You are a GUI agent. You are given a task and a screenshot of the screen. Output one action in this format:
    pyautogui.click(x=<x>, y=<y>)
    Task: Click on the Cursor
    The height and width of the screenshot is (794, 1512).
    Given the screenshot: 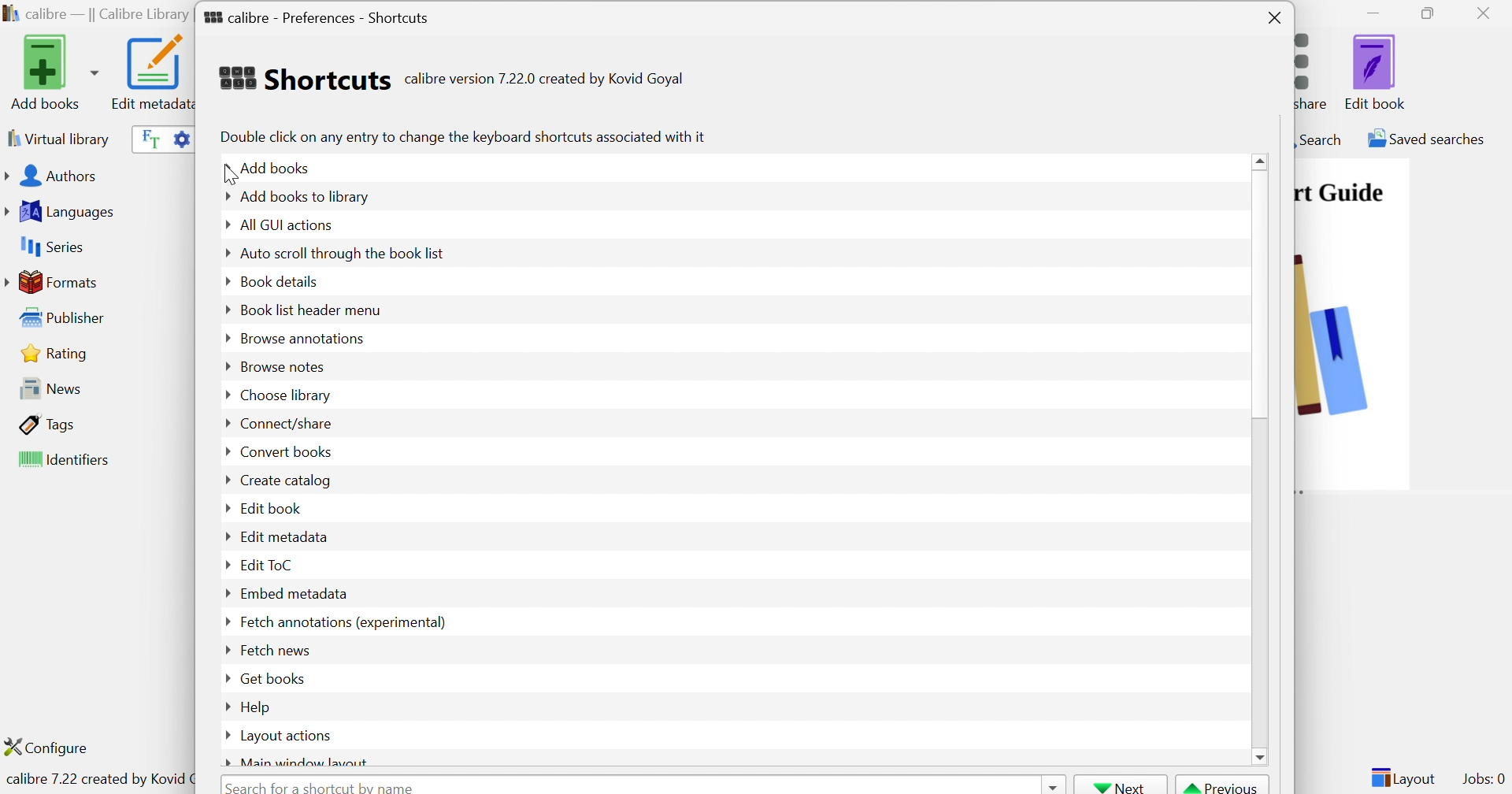 What is the action you would take?
    pyautogui.click(x=229, y=176)
    